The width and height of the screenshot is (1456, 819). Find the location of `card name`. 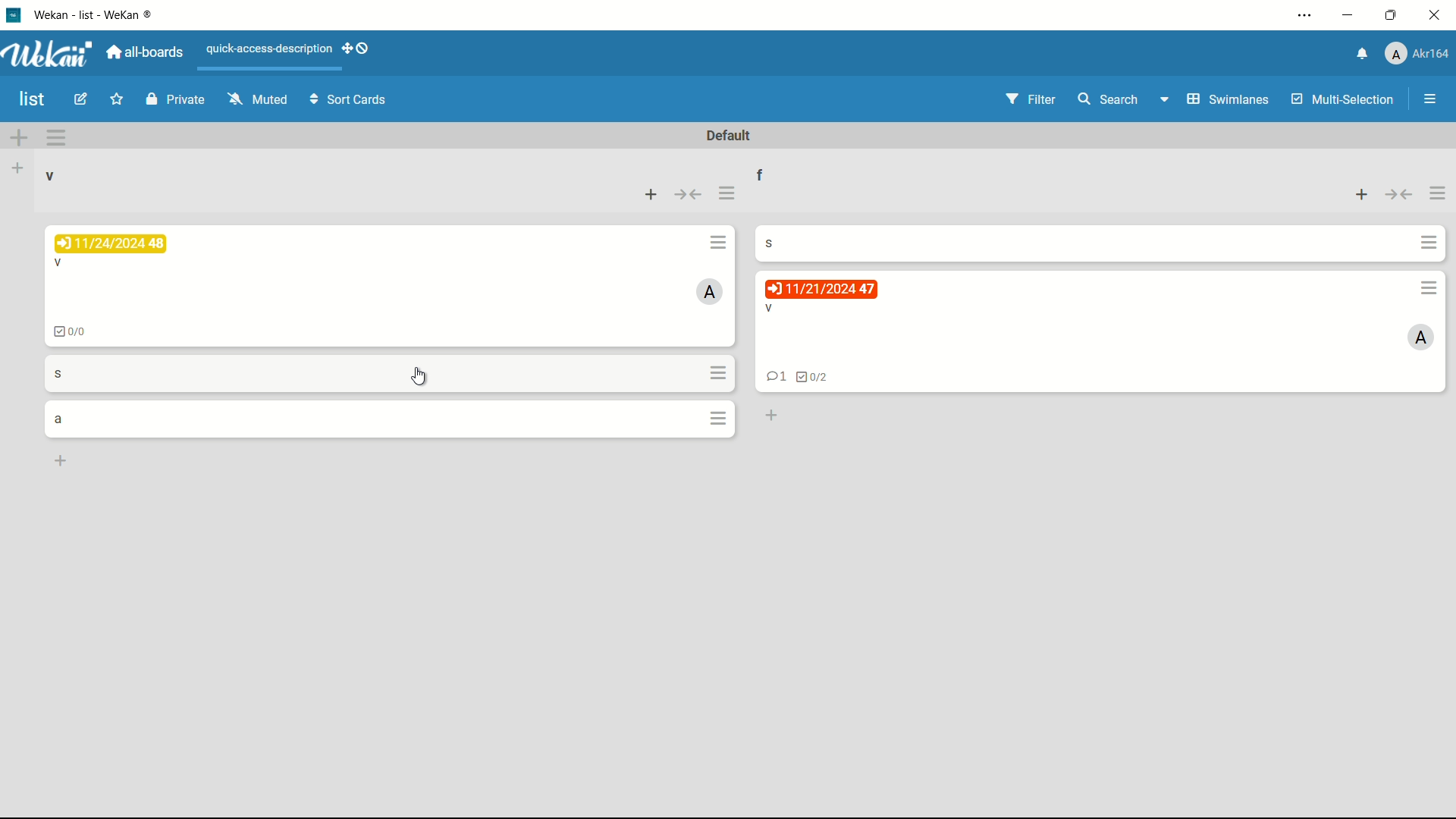

card name is located at coordinates (771, 242).